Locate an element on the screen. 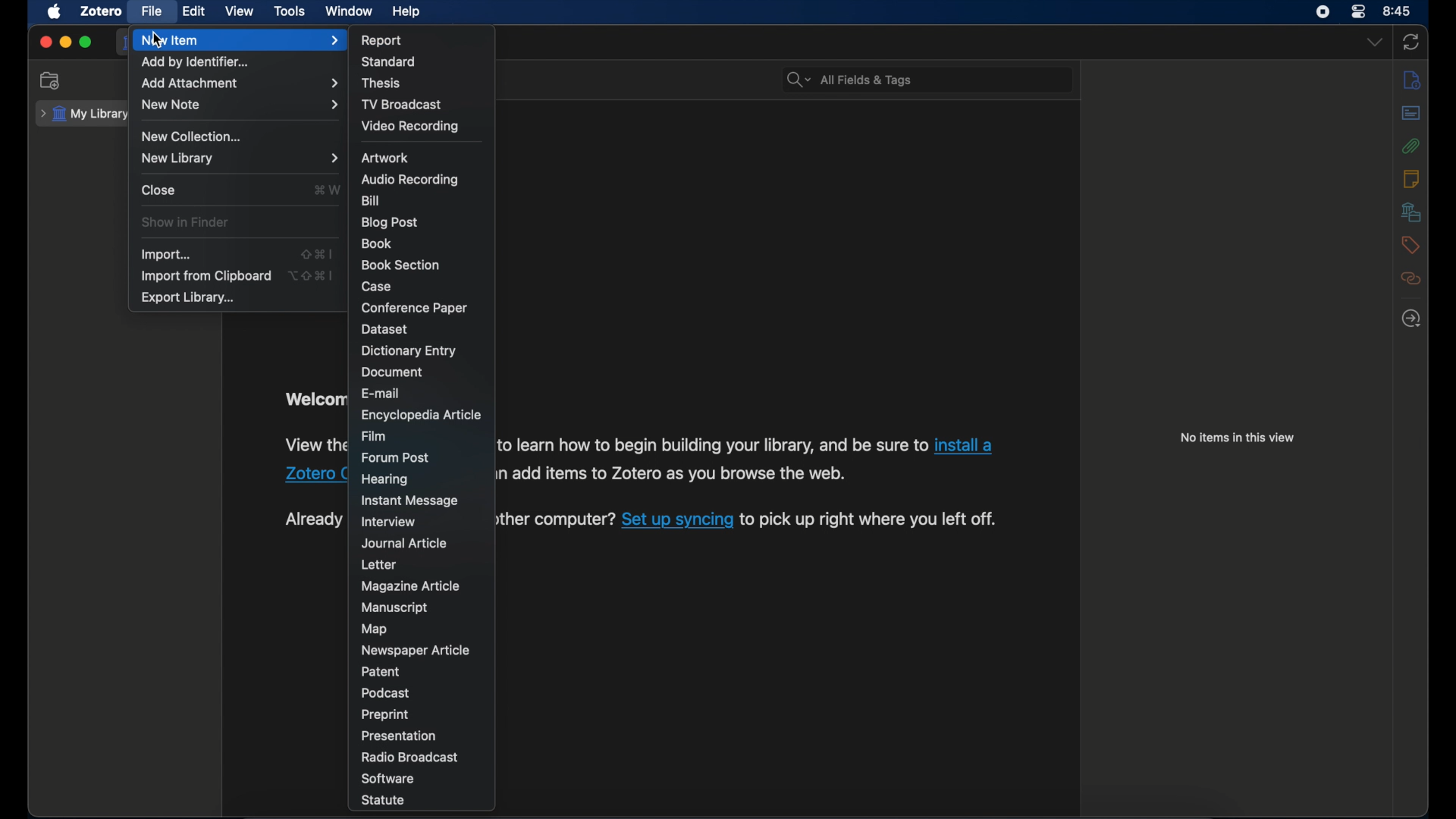 This screenshot has height=819, width=1456. maximize is located at coordinates (87, 43).